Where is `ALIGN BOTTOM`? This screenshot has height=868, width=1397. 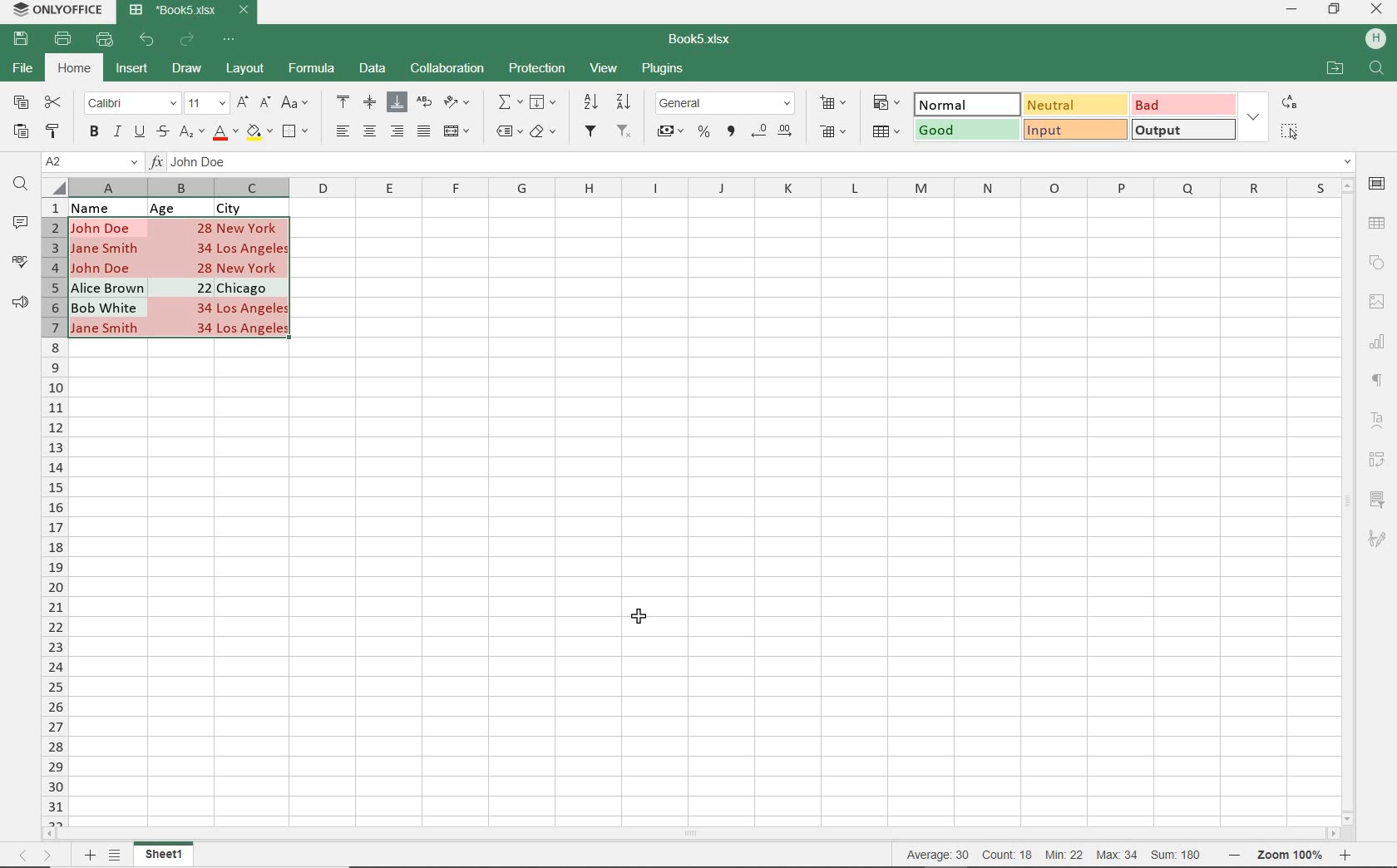
ALIGN BOTTOM is located at coordinates (397, 102).